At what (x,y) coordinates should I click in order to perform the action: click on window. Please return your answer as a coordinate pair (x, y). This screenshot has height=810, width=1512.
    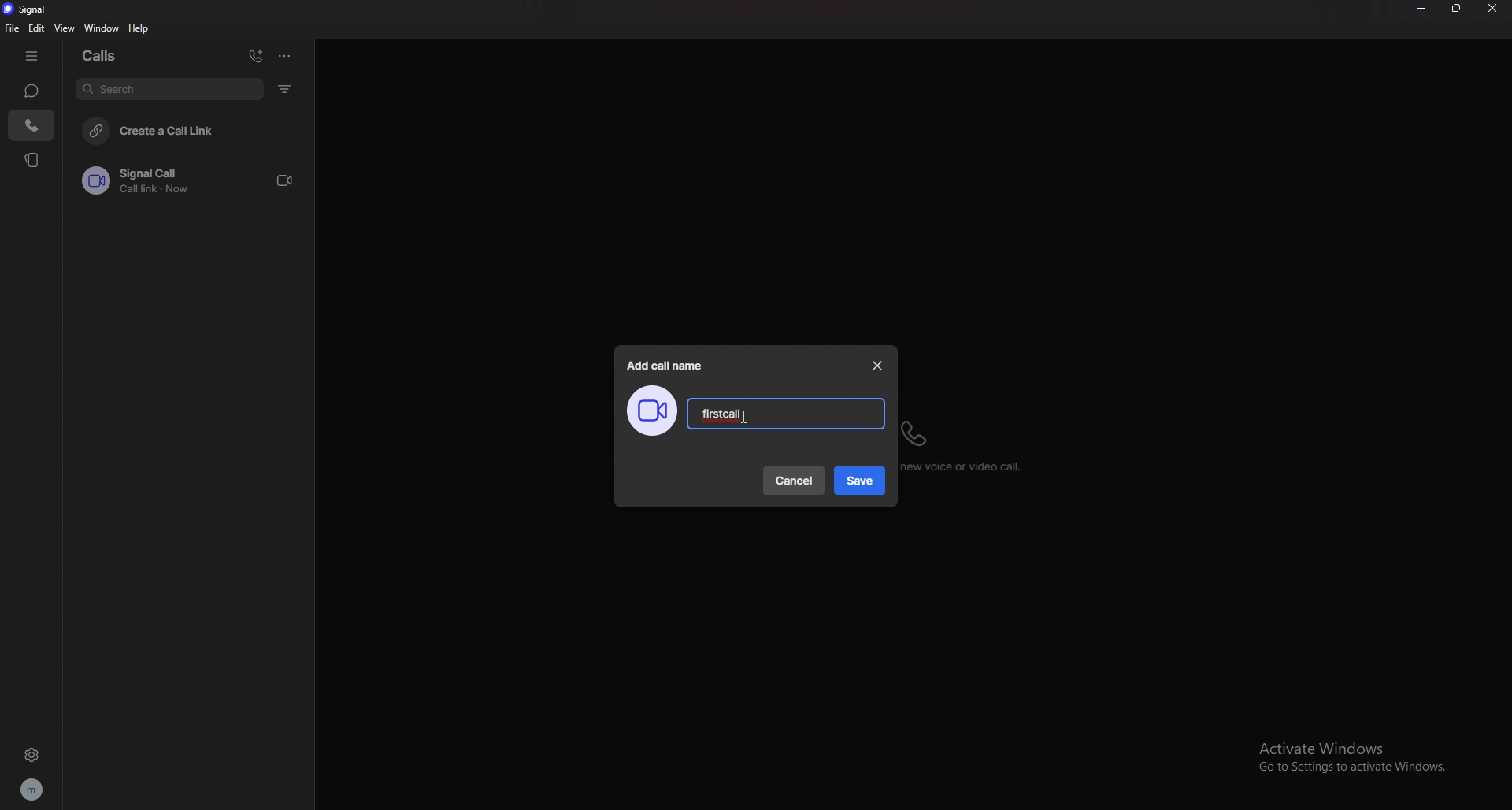
    Looking at the image, I should click on (105, 28).